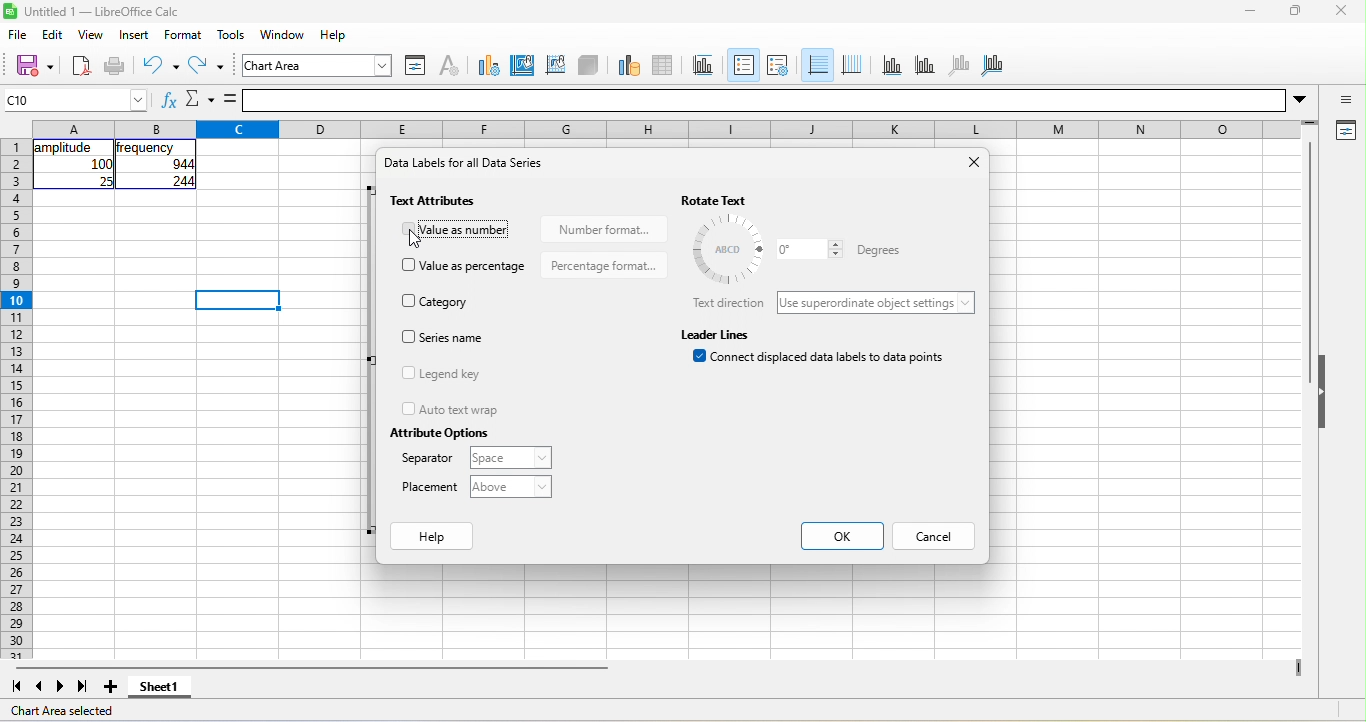 The image size is (1366, 722). Describe the element at coordinates (187, 35) in the screenshot. I see `format` at that location.